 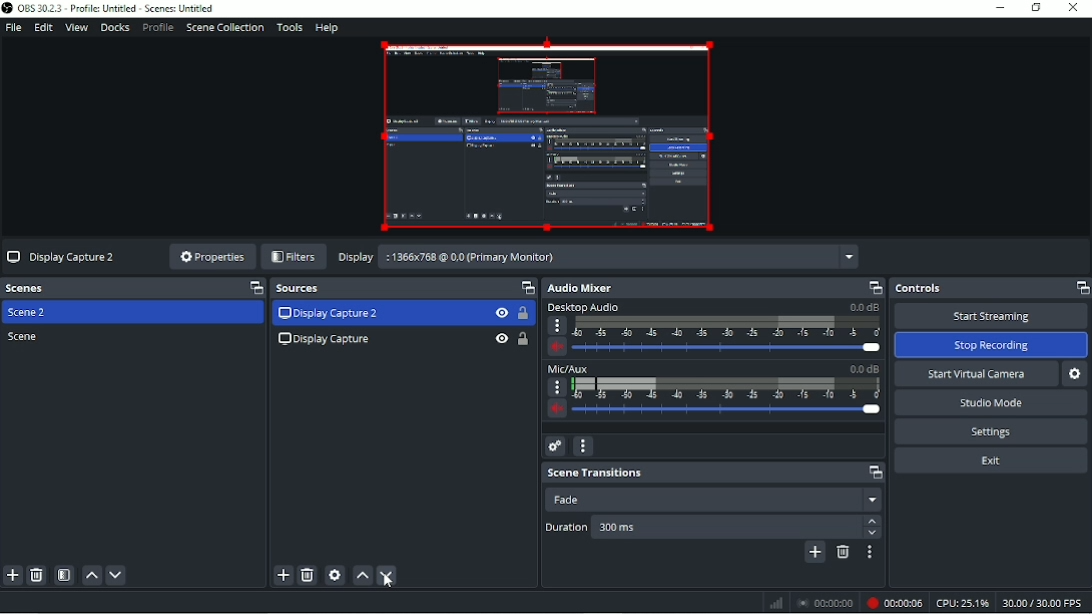 What do you see at coordinates (290, 27) in the screenshot?
I see `Tools` at bounding box center [290, 27].